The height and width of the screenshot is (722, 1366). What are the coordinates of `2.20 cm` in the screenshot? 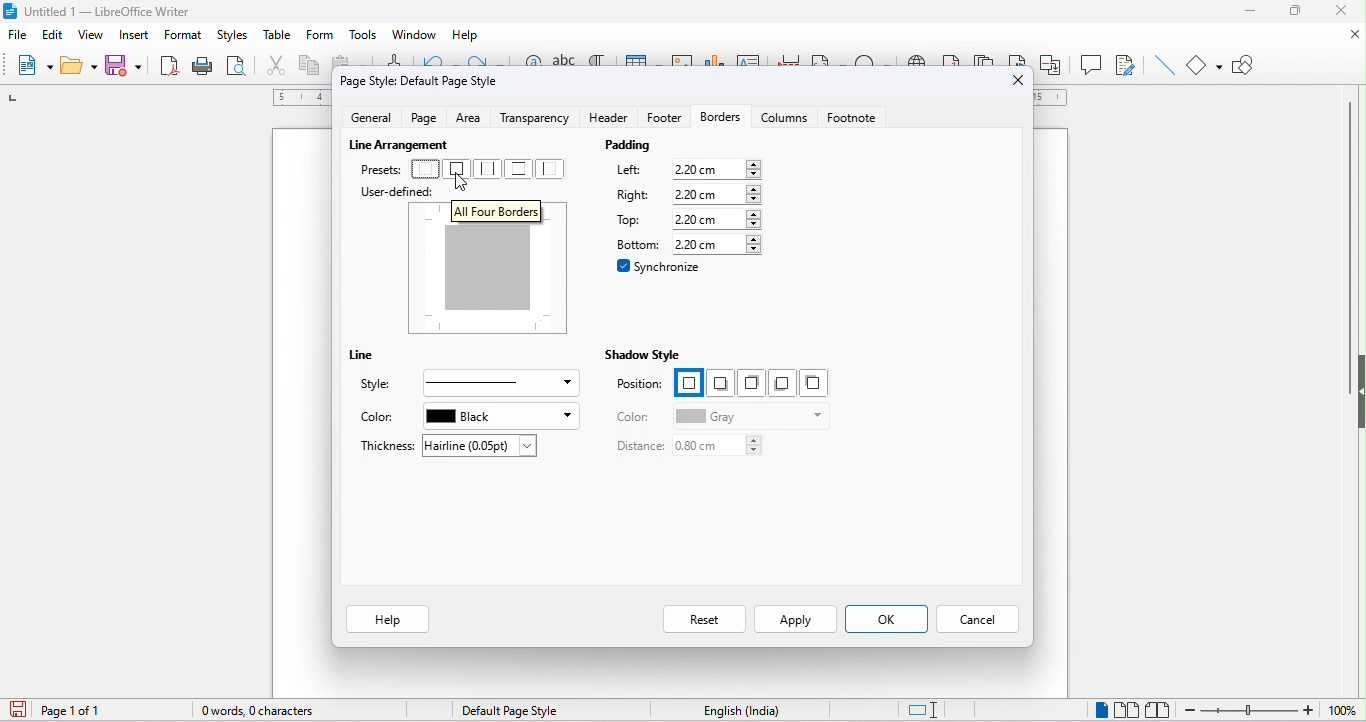 It's located at (716, 170).